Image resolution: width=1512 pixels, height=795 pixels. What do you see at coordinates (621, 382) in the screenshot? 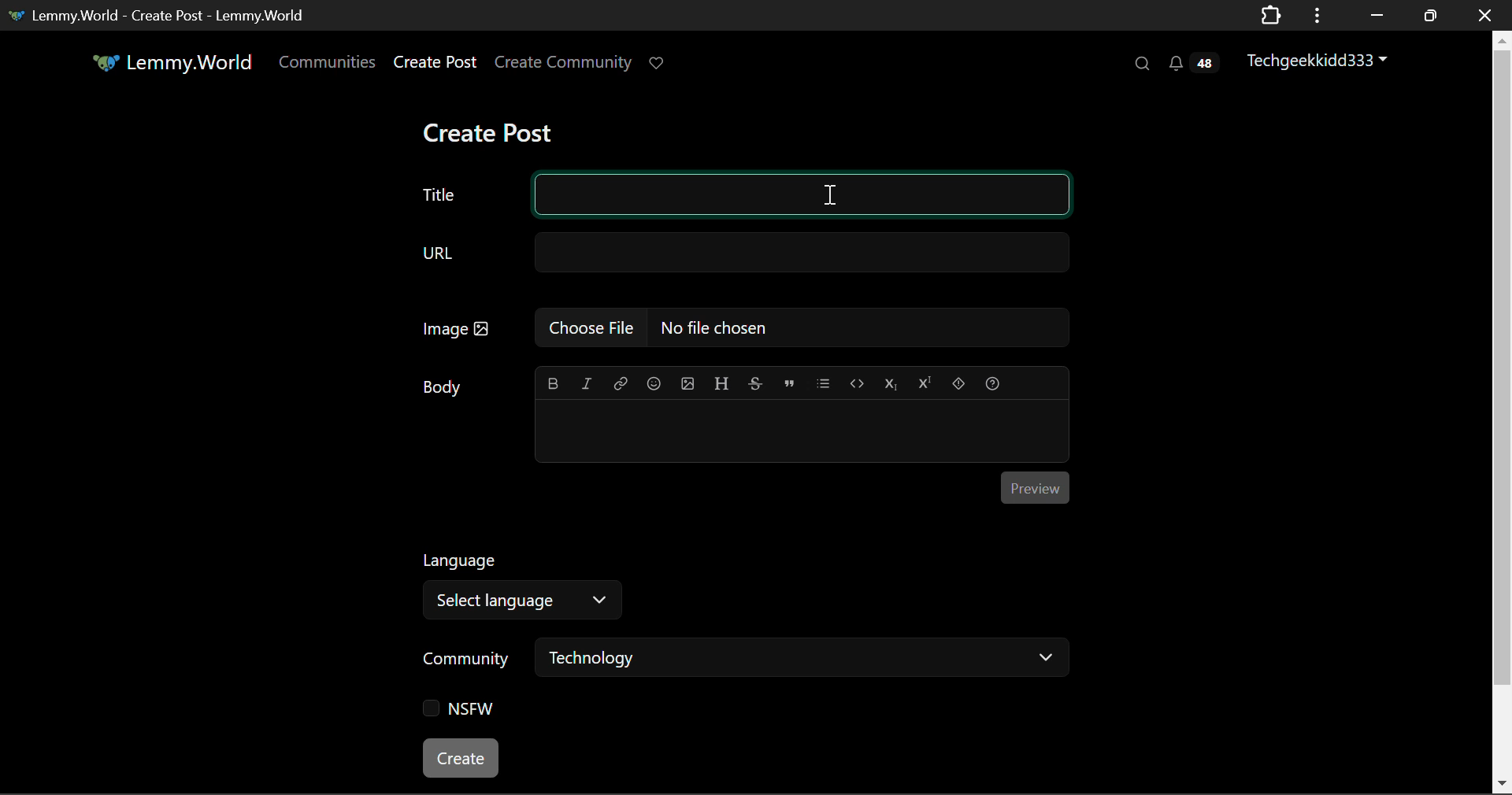
I see `link` at bounding box center [621, 382].